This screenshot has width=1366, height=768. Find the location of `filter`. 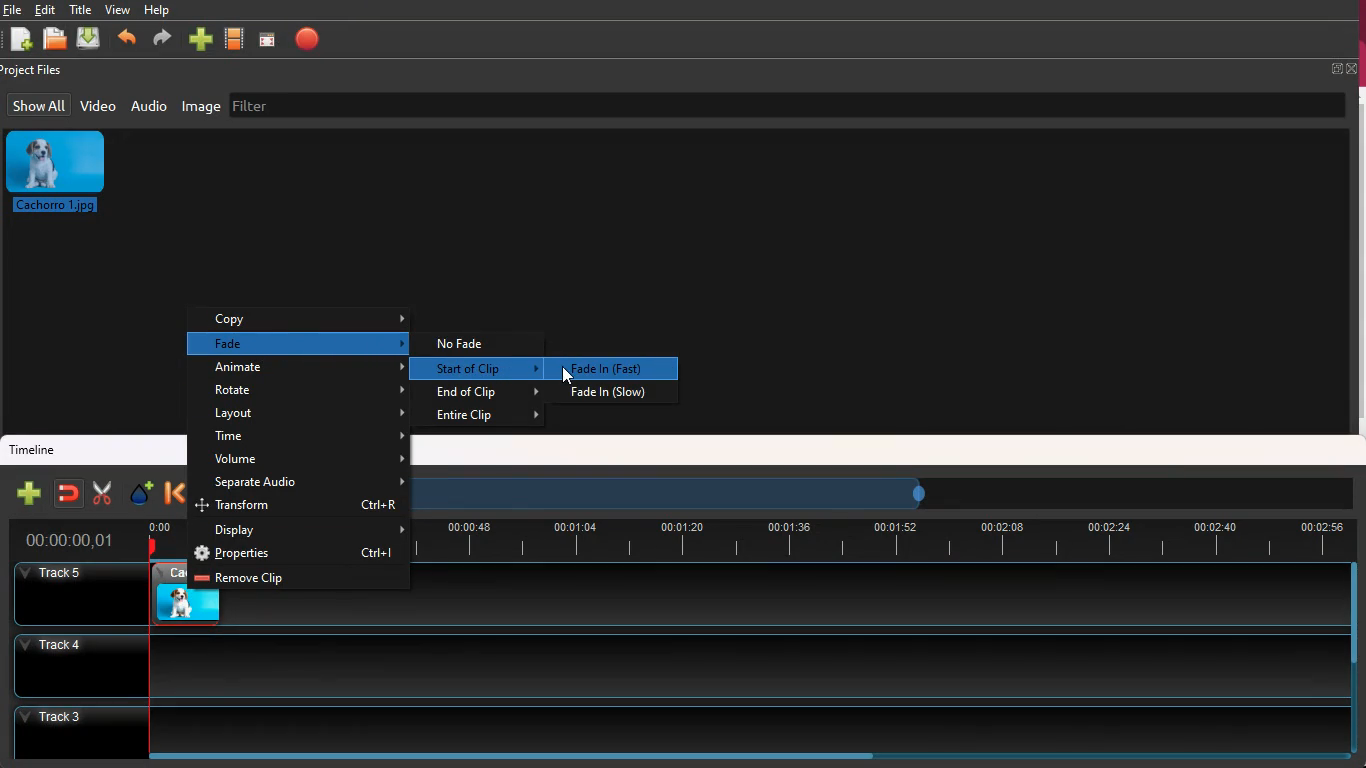

filter is located at coordinates (260, 105).